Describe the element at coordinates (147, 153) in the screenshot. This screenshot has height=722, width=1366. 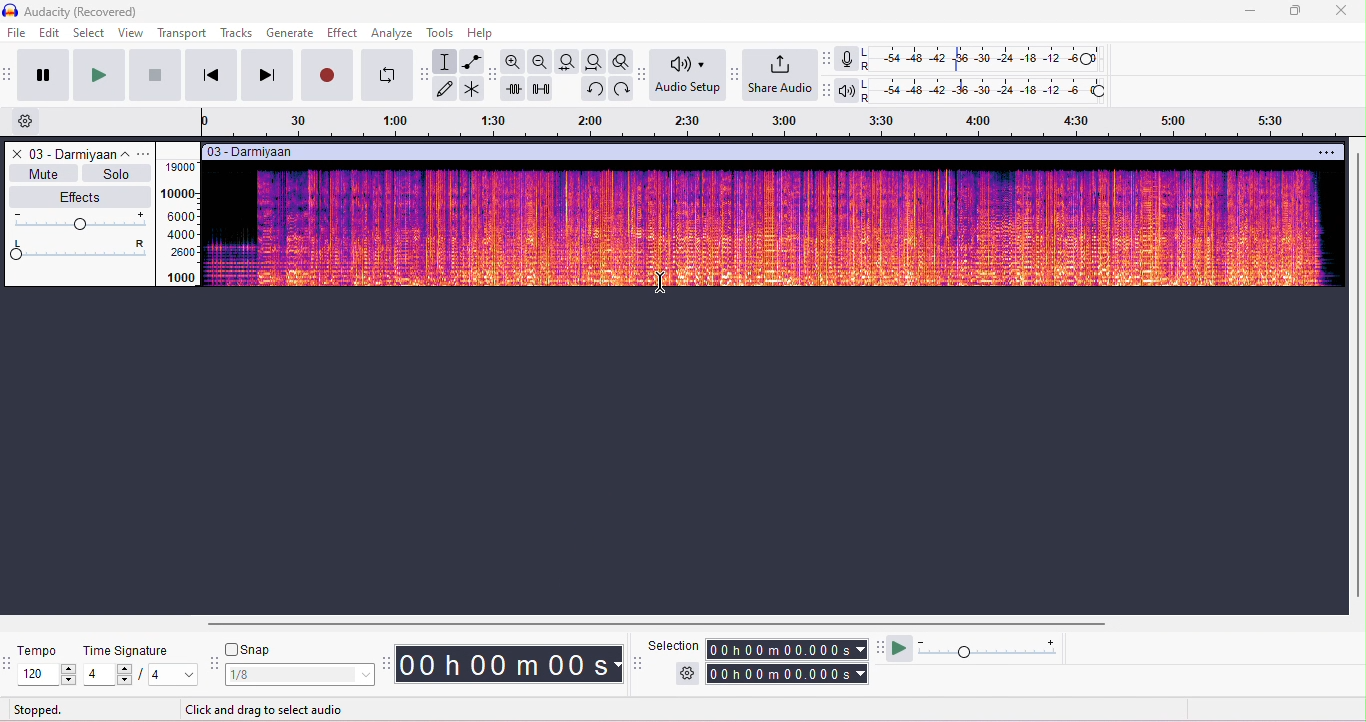
I see `options` at that location.